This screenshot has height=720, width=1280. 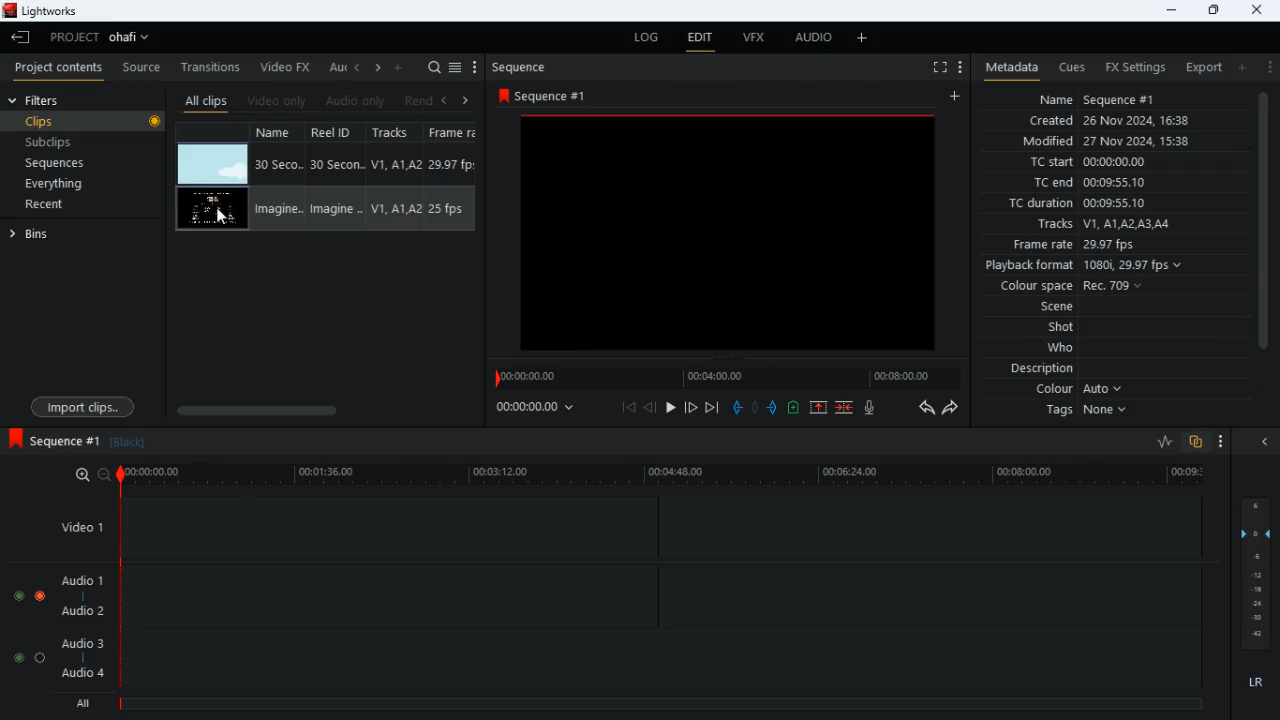 What do you see at coordinates (1097, 99) in the screenshot?
I see `name` at bounding box center [1097, 99].